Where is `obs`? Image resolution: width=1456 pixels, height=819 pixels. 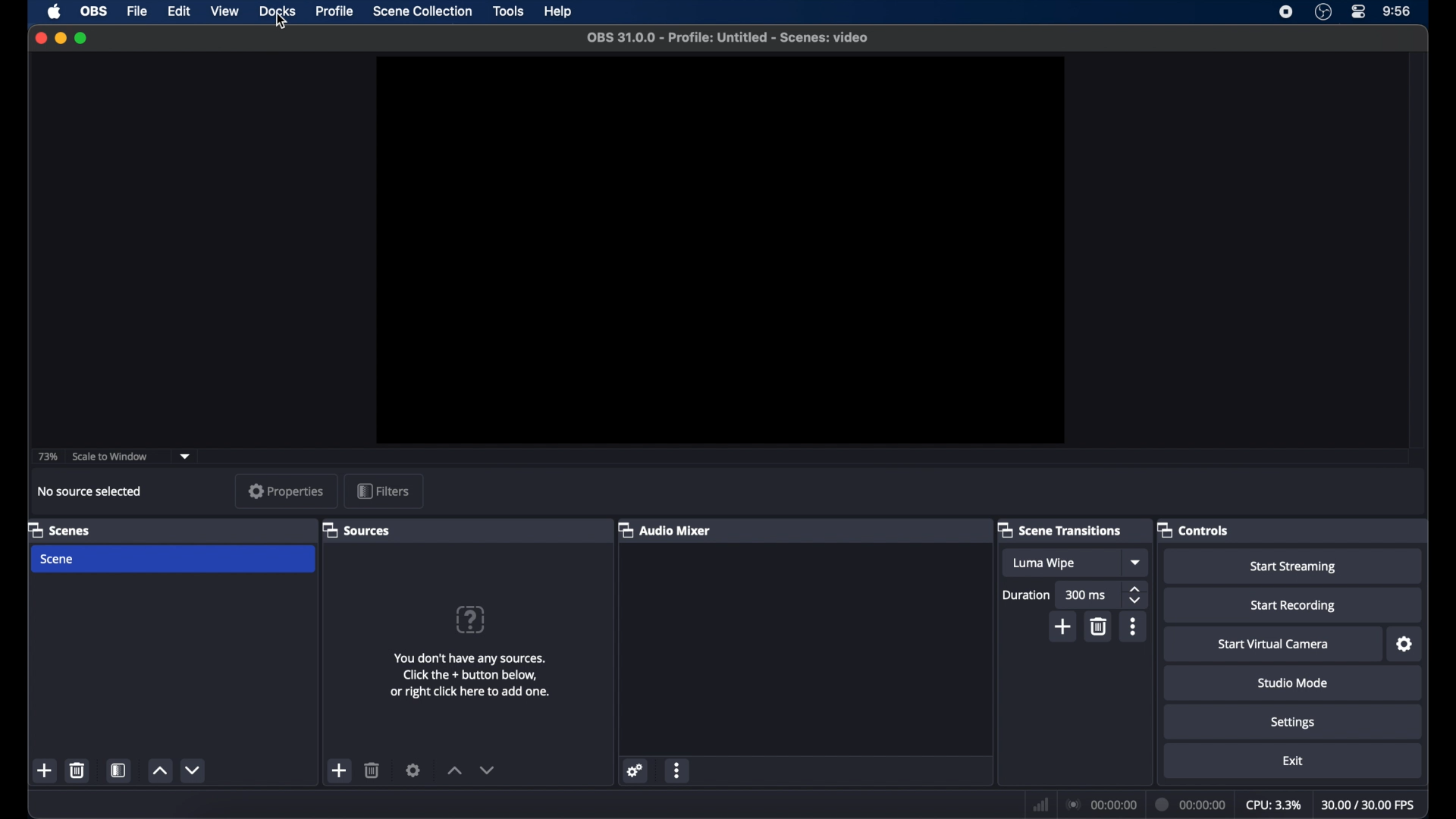
obs is located at coordinates (94, 11).